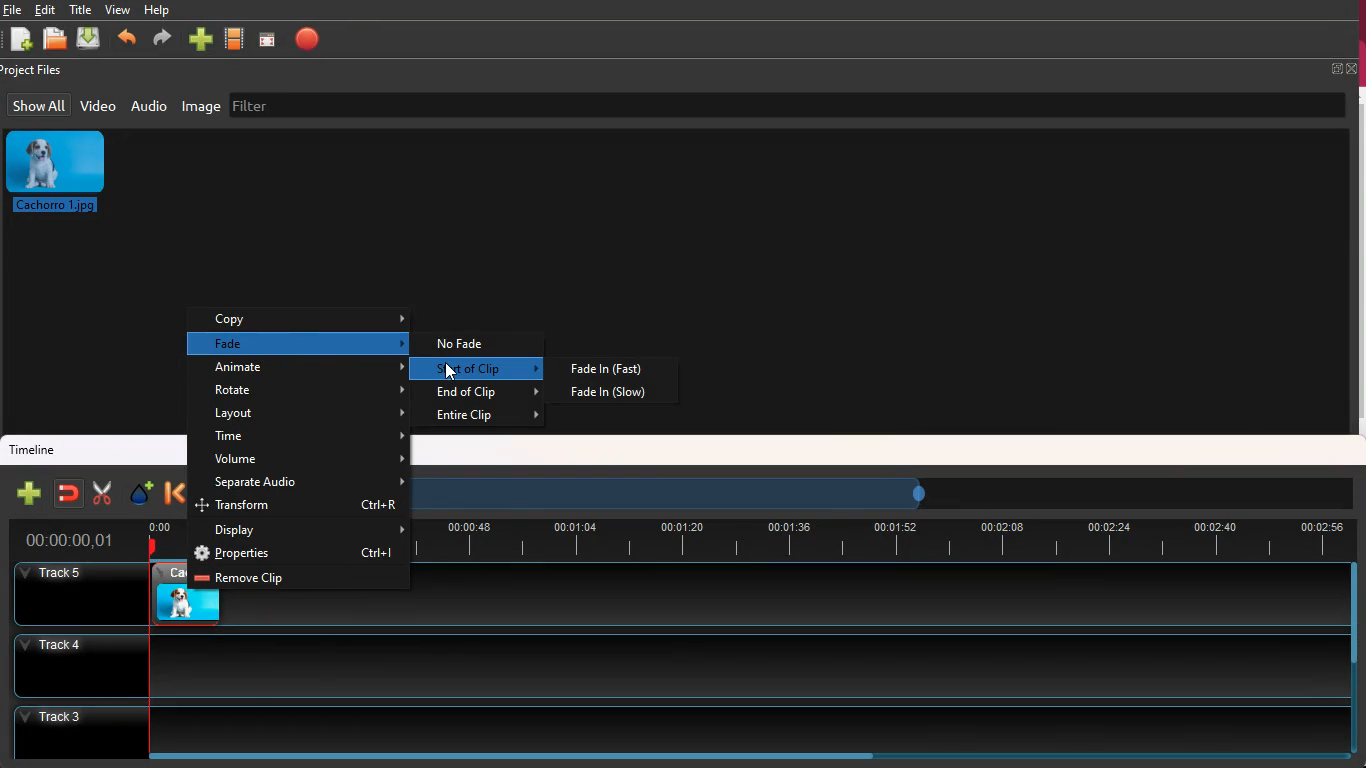 The image size is (1366, 768). Describe the element at coordinates (308, 530) in the screenshot. I see `display` at that location.